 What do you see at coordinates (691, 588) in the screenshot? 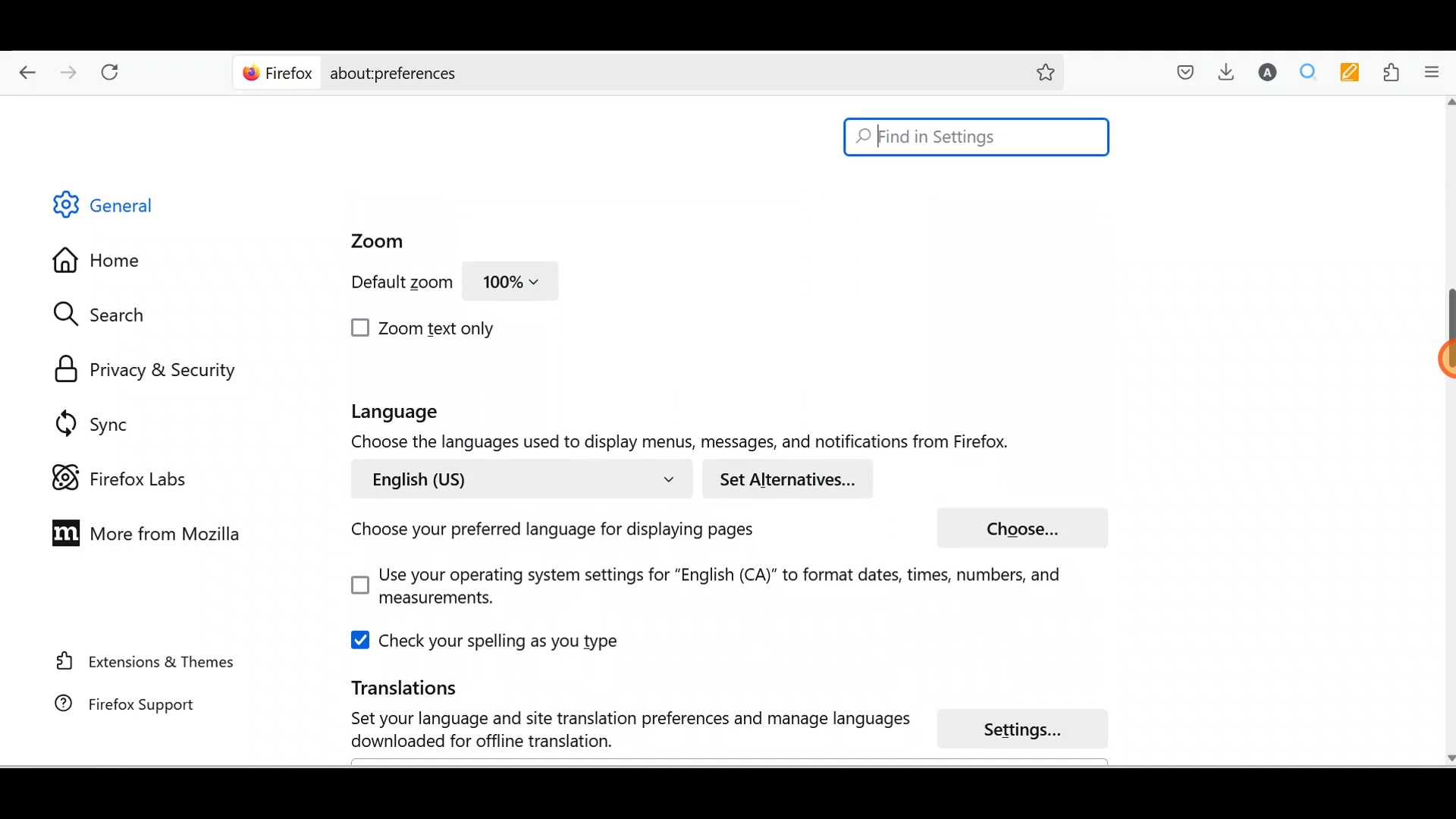
I see `Use your operating system settings for "English(CA)" to format dates, times, numbers and measurements.` at bounding box center [691, 588].